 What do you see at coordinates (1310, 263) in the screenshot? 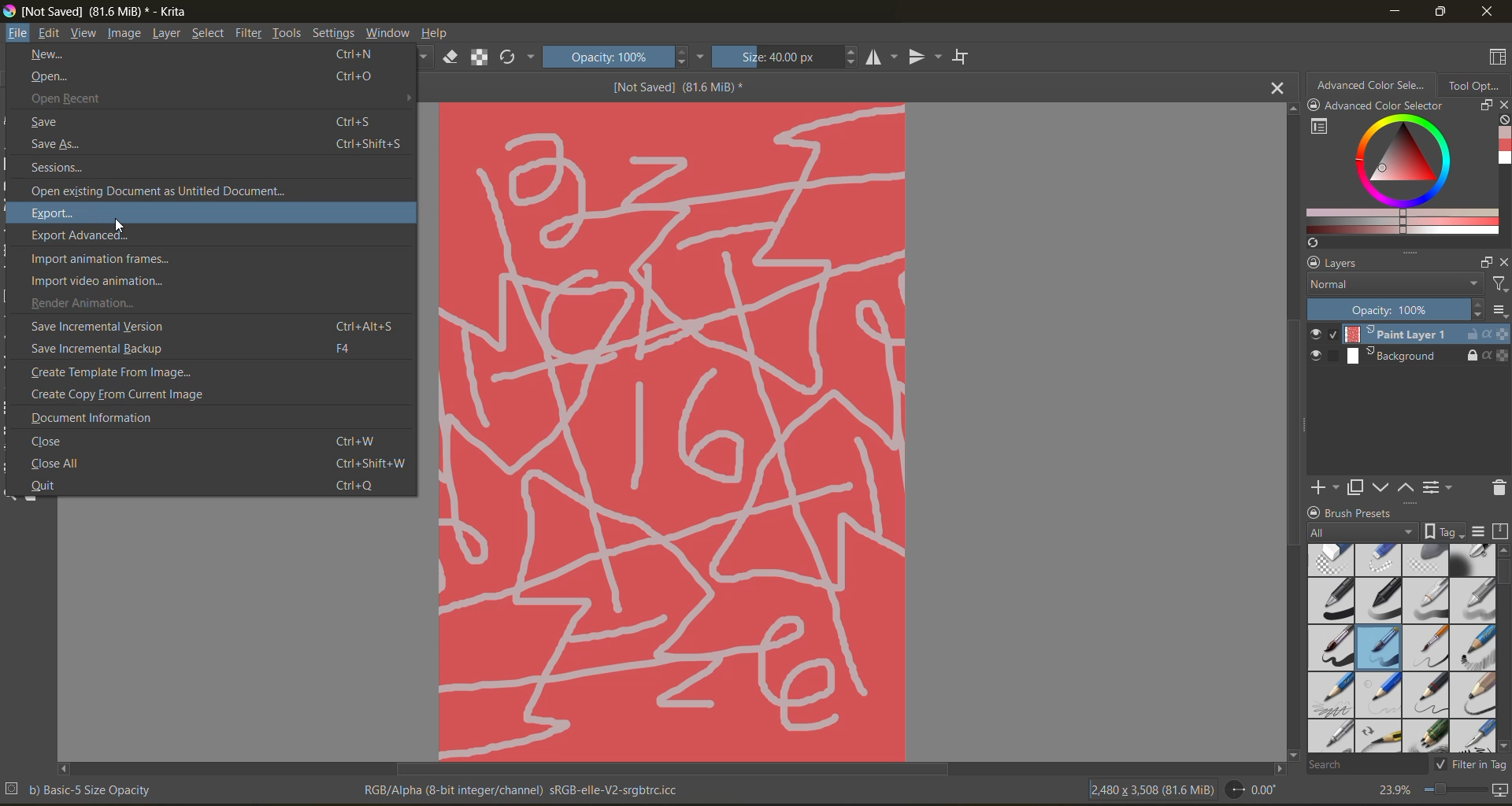
I see `lock/unlock docker` at bounding box center [1310, 263].